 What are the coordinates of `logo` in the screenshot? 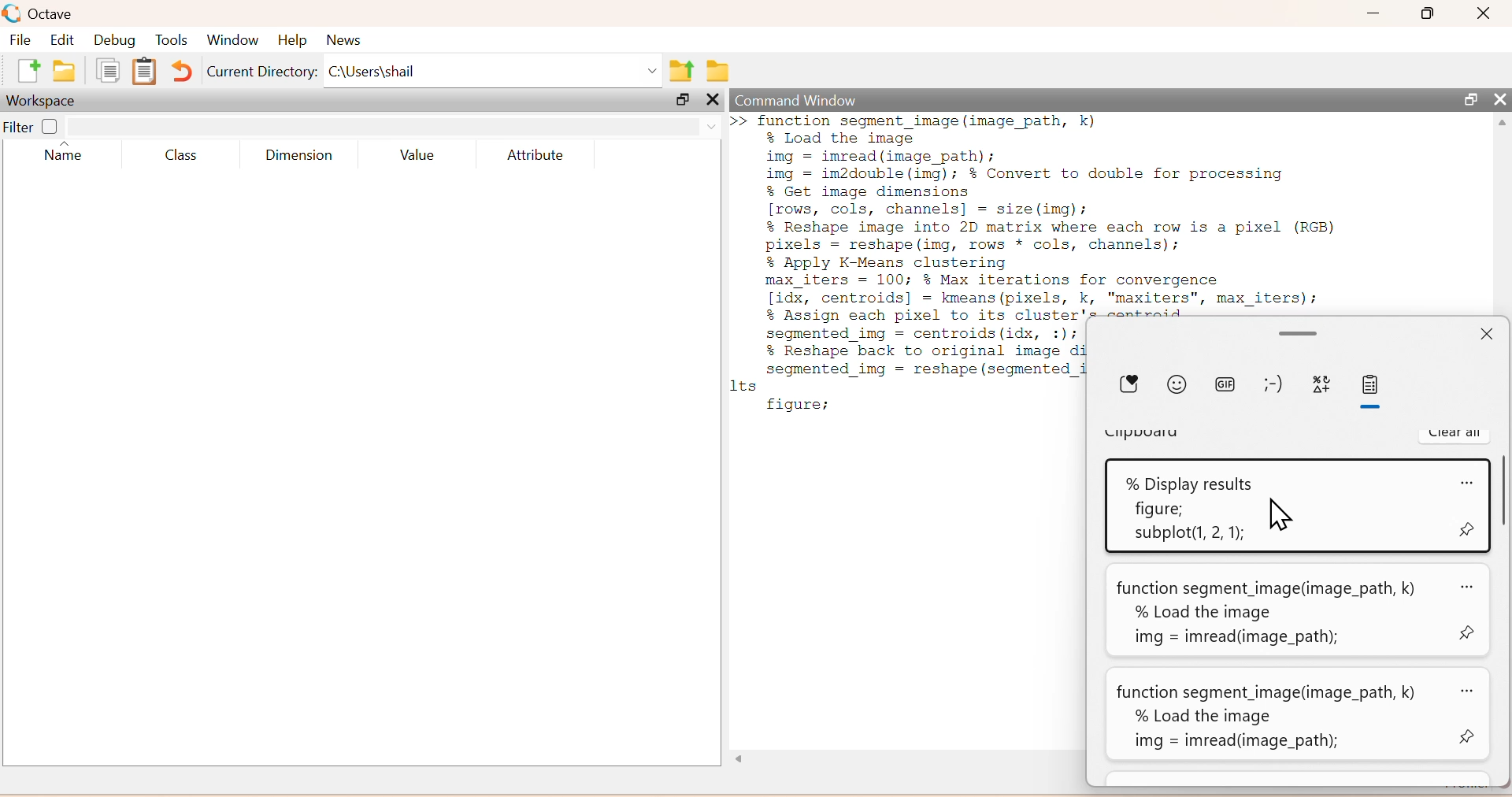 It's located at (13, 13).